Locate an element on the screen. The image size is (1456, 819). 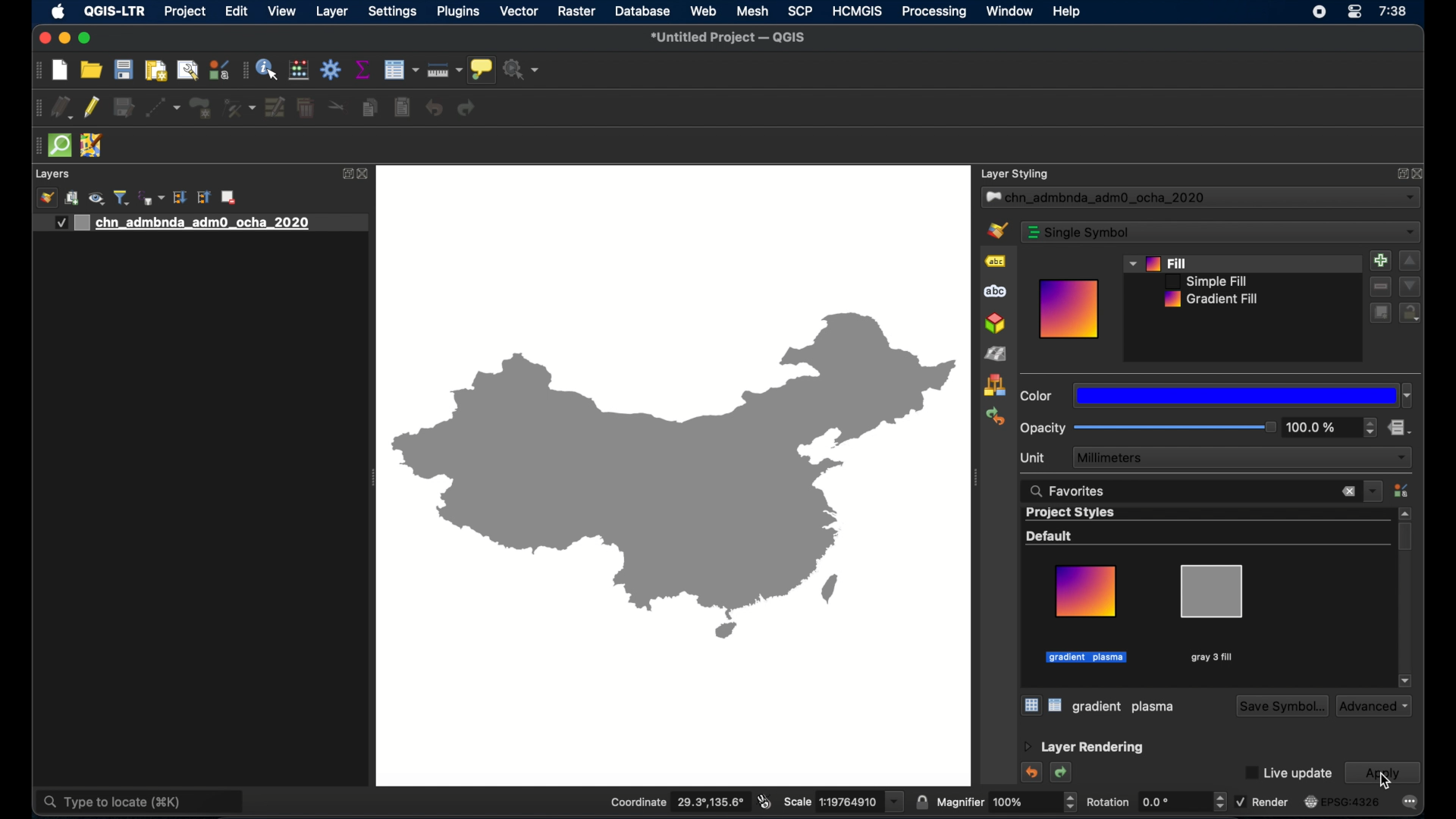
screen recorder icon is located at coordinates (1319, 12).